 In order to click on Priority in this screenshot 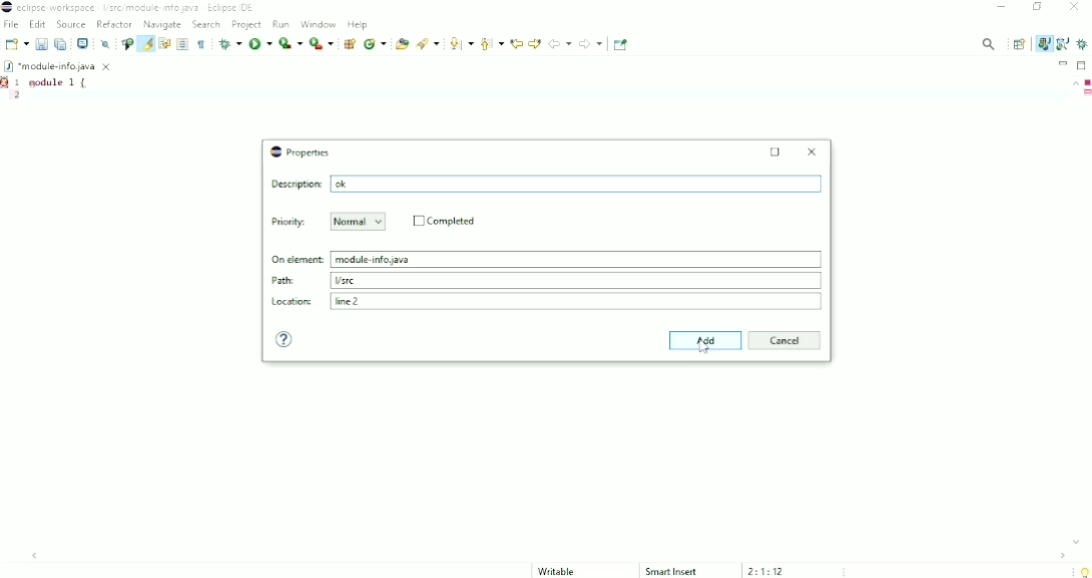, I will do `click(289, 222)`.